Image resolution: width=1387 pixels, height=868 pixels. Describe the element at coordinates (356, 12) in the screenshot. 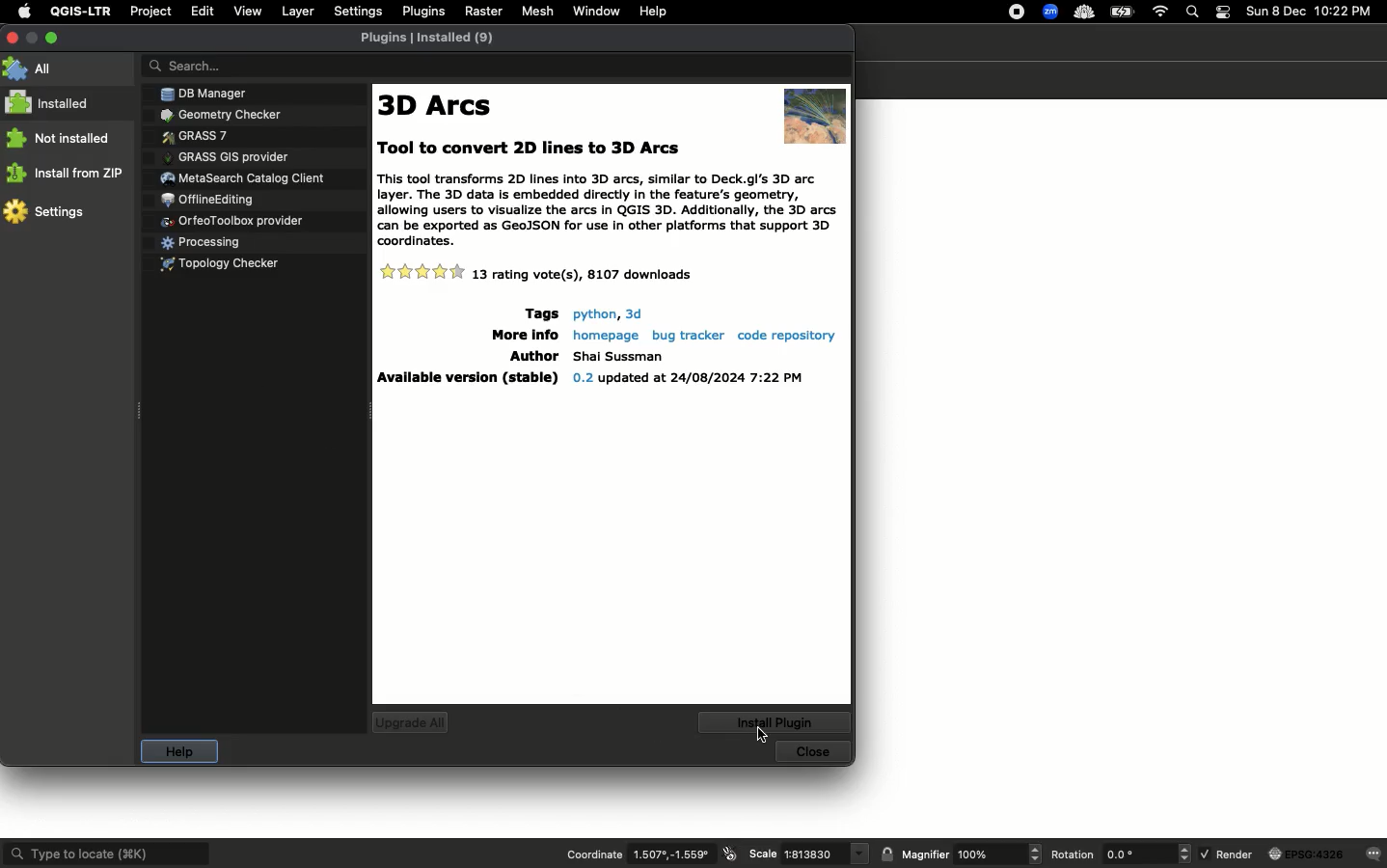

I see `Settings` at that location.